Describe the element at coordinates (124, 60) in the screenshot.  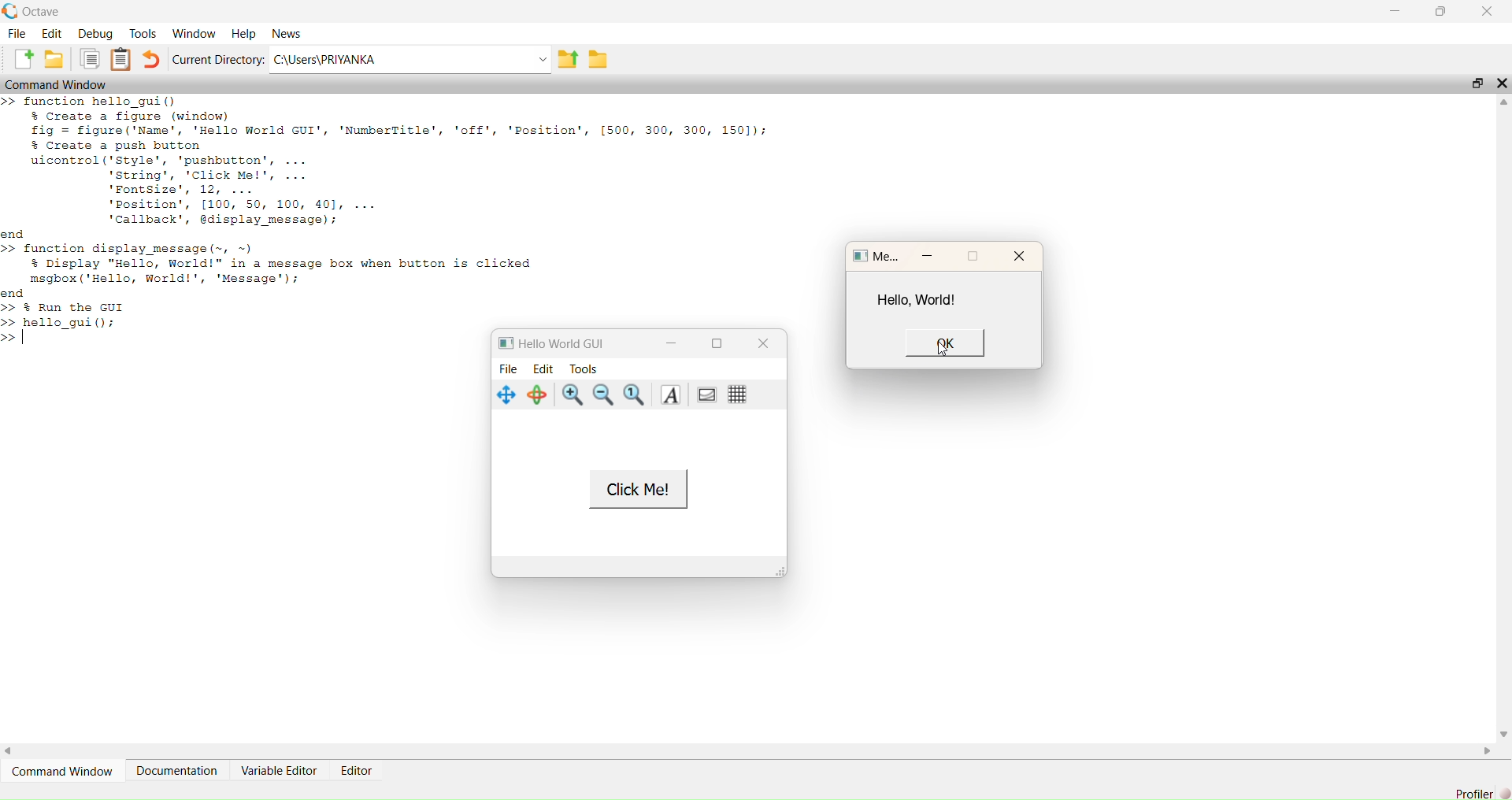
I see `notes` at that location.